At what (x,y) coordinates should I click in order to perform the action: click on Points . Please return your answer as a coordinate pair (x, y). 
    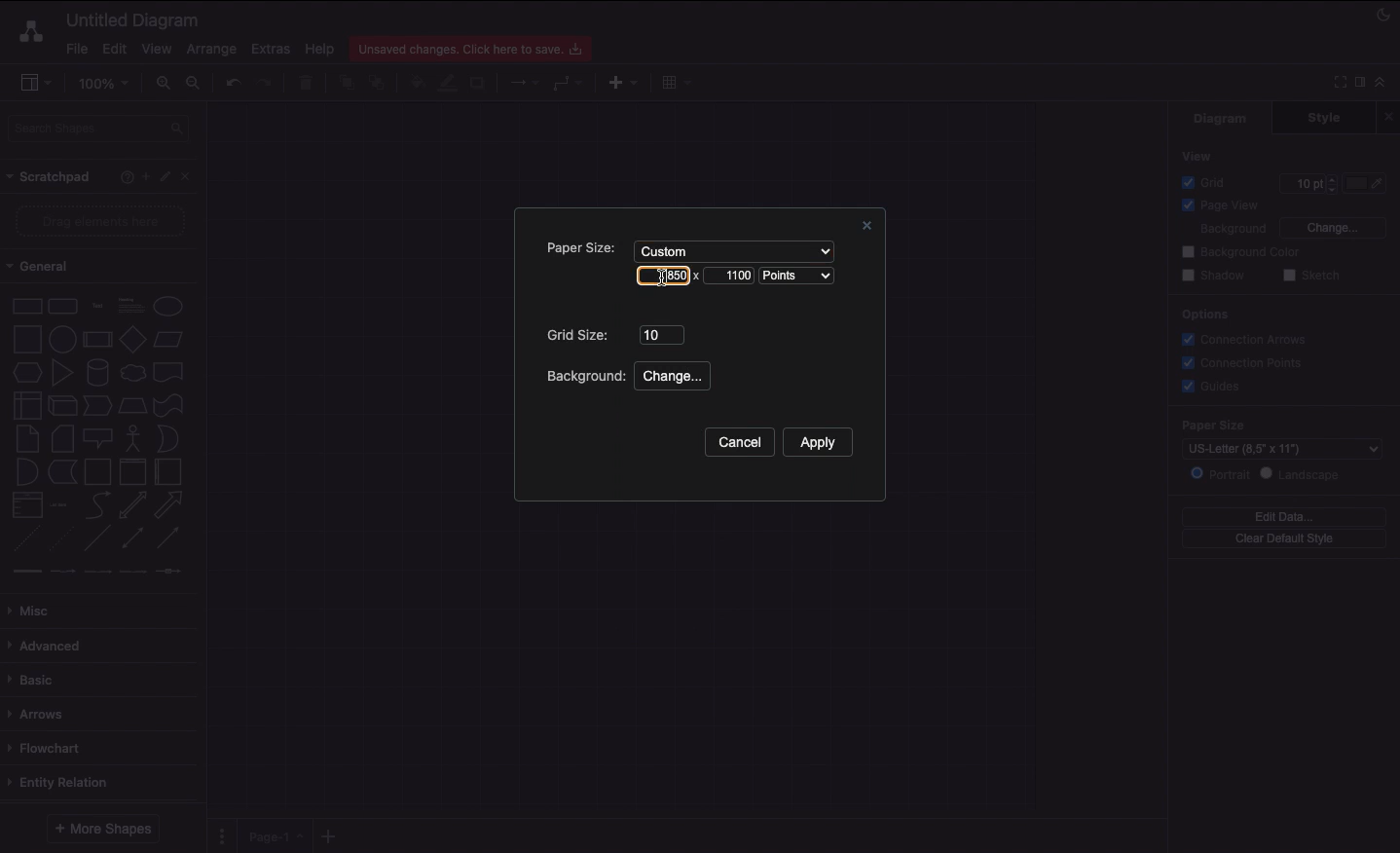
    Looking at the image, I should click on (801, 277).